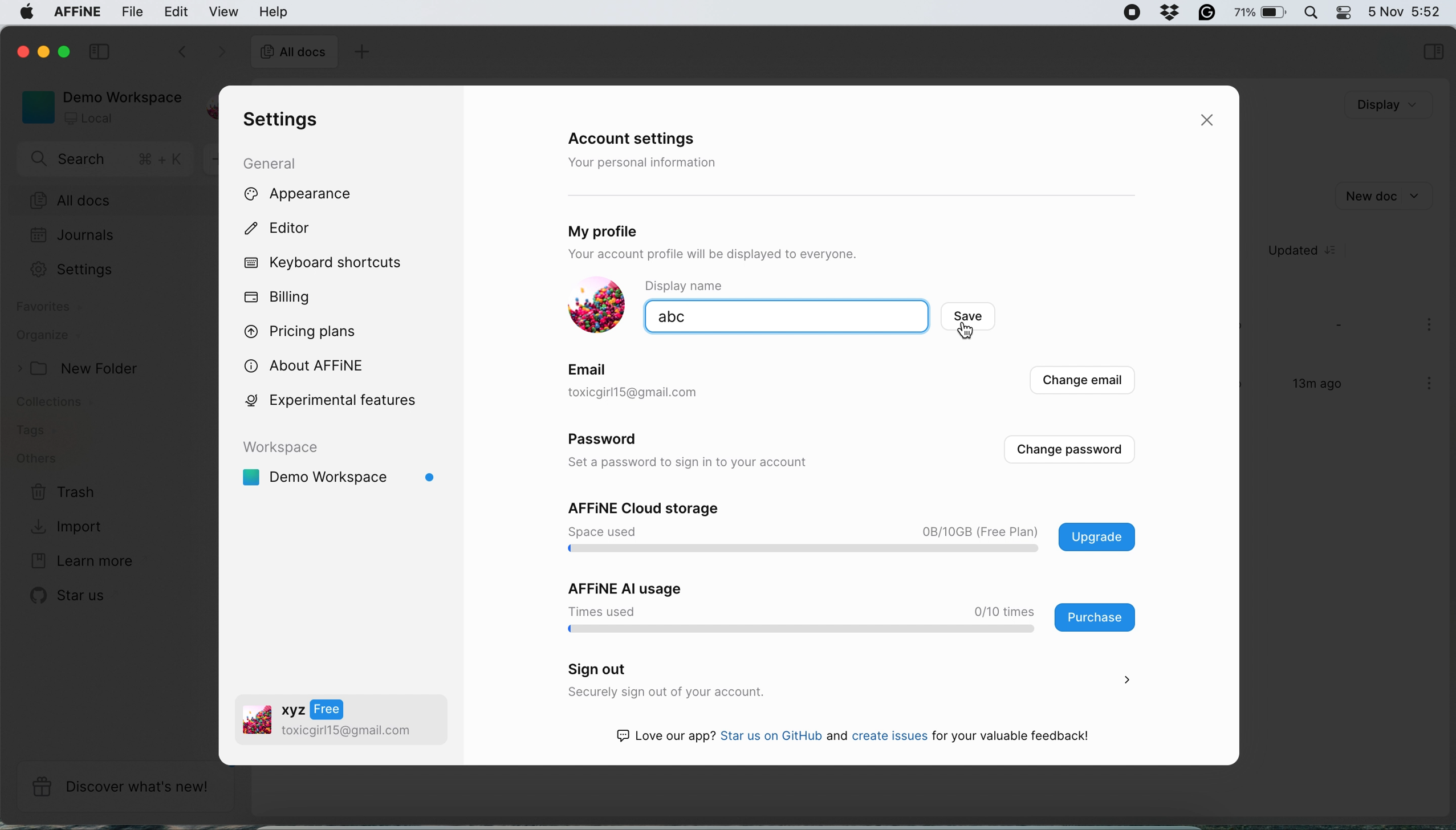 The height and width of the screenshot is (830, 1456). I want to click on discover what's new, so click(125, 787).